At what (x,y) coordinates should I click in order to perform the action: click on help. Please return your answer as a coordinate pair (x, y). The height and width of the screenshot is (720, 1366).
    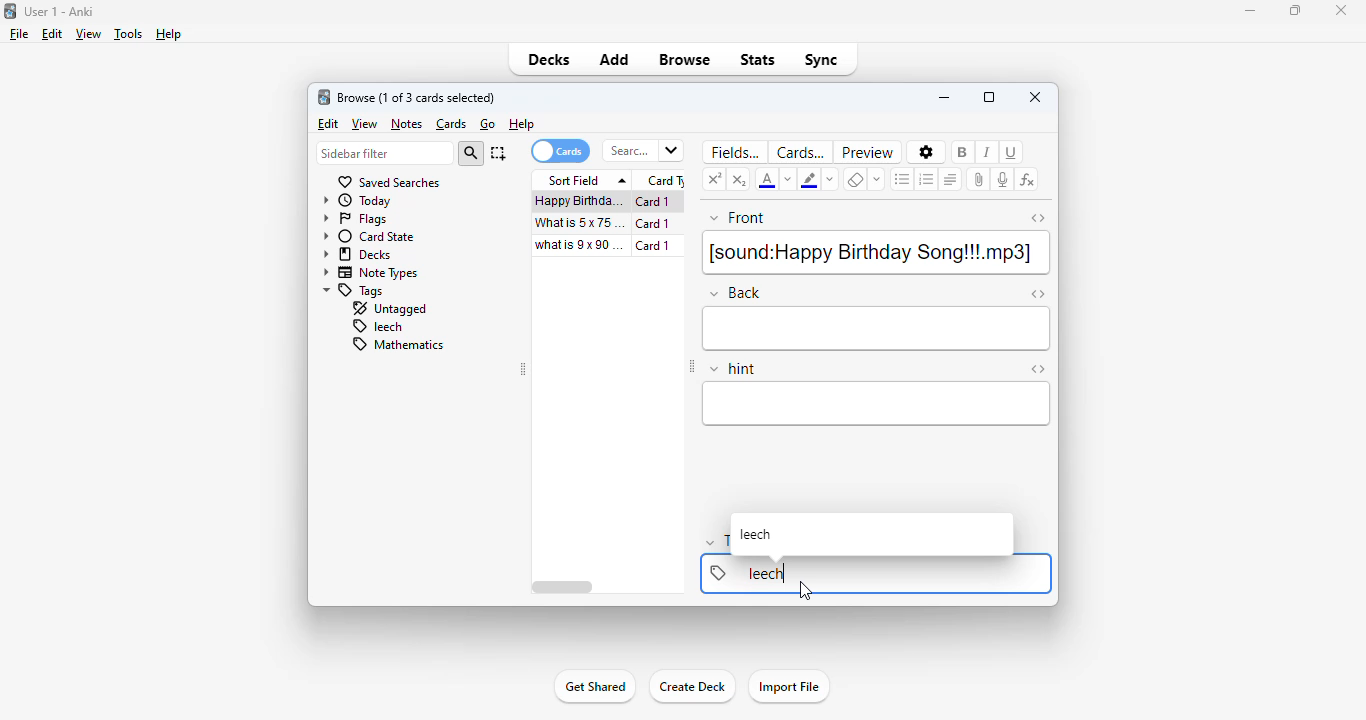
    Looking at the image, I should click on (522, 124).